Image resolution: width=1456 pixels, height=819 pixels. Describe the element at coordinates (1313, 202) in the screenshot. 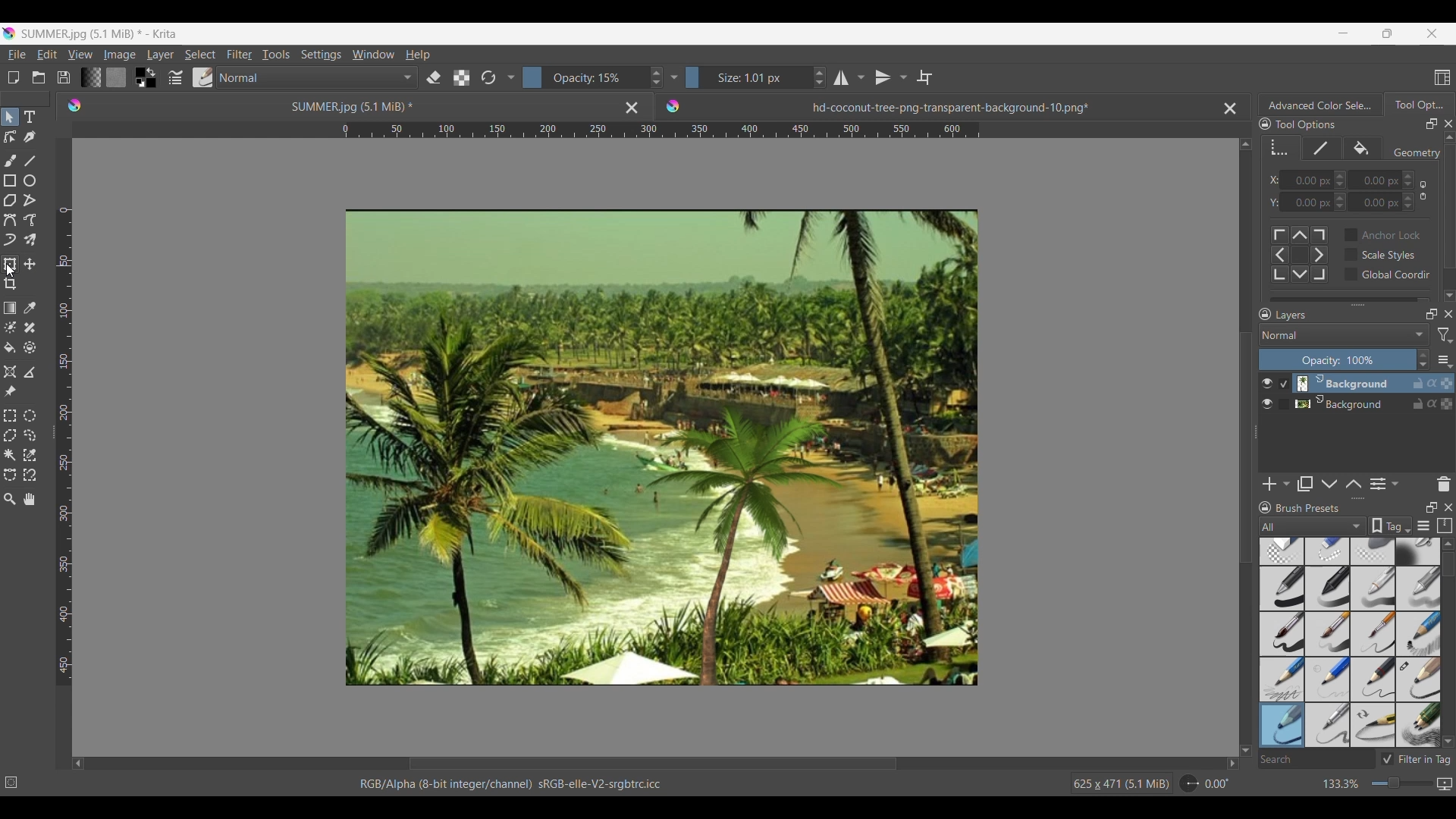

I see `0.00px` at that location.